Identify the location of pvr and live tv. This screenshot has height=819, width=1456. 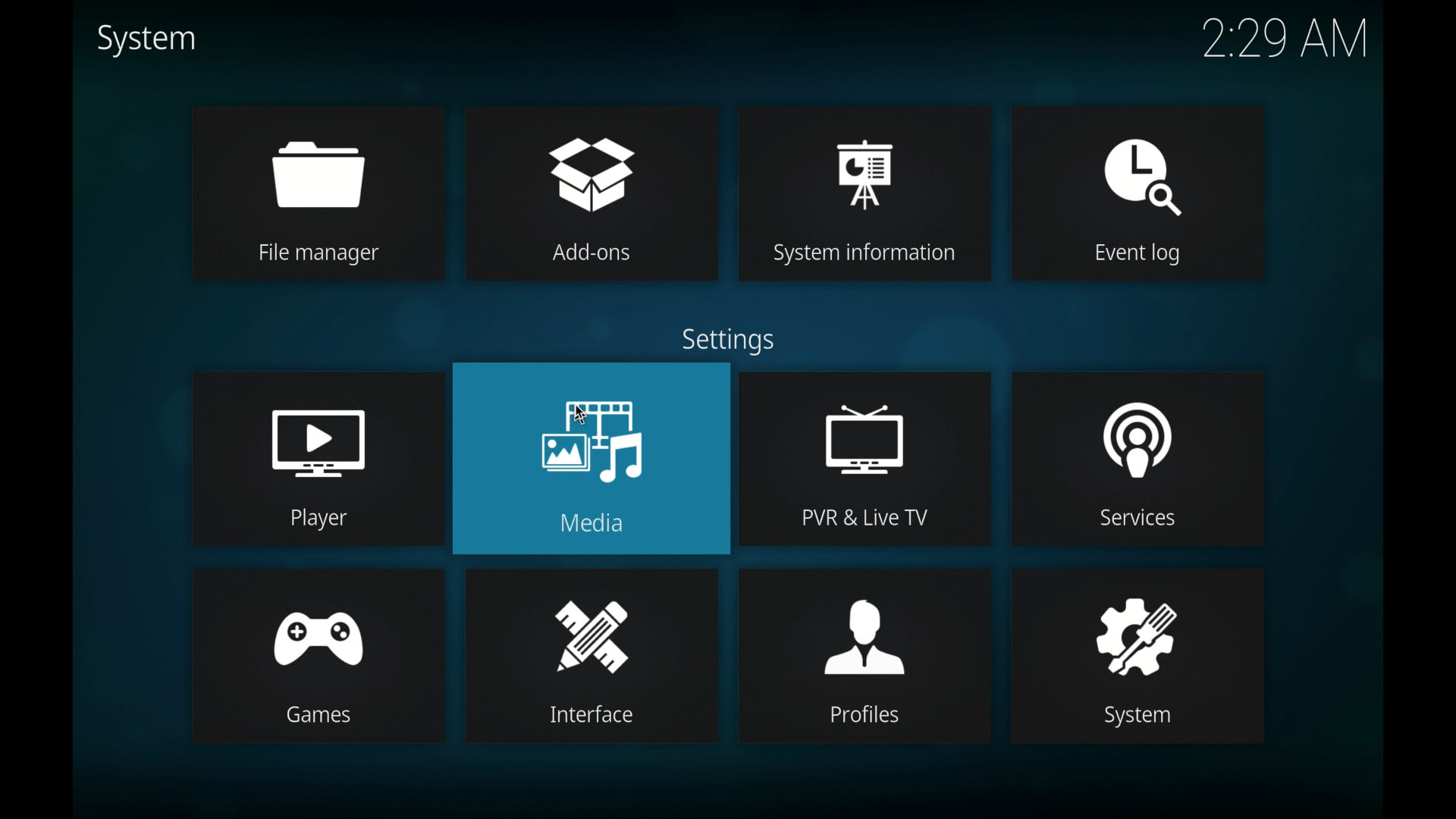
(861, 424).